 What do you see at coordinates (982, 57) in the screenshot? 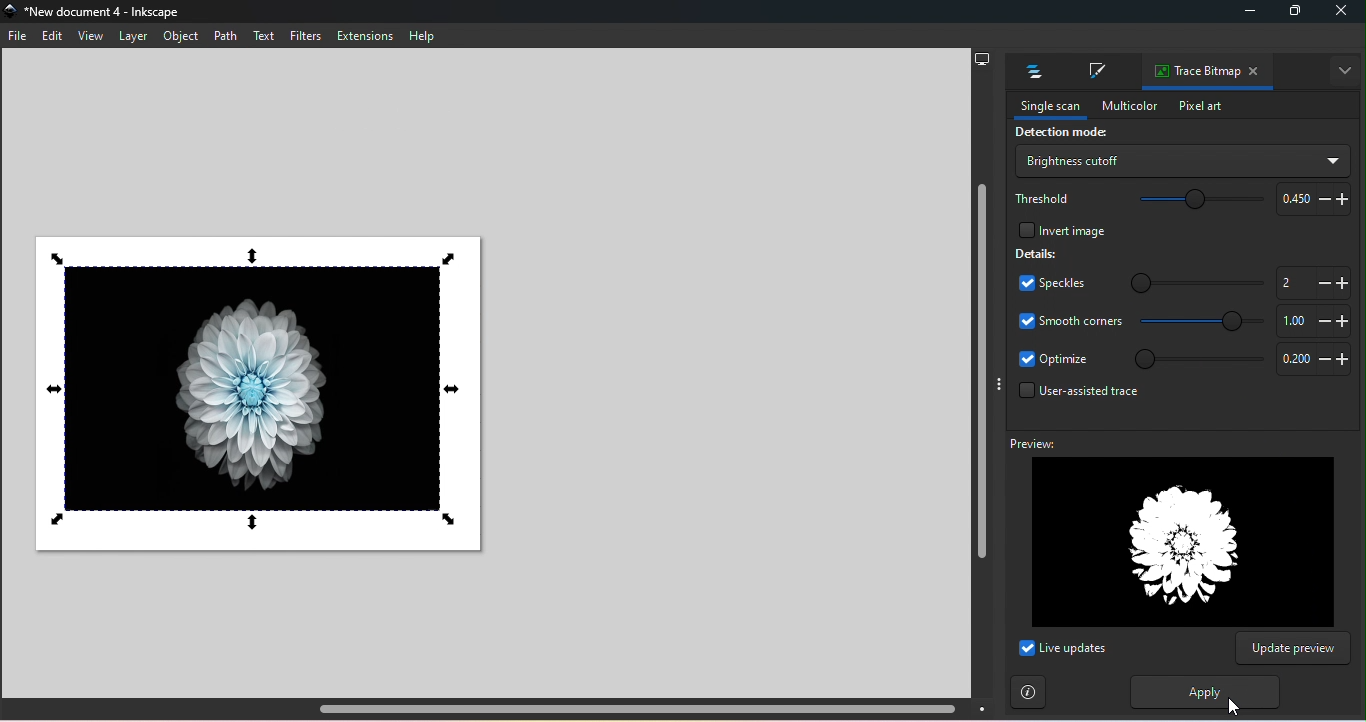
I see `Display options` at bounding box center [982, 57].